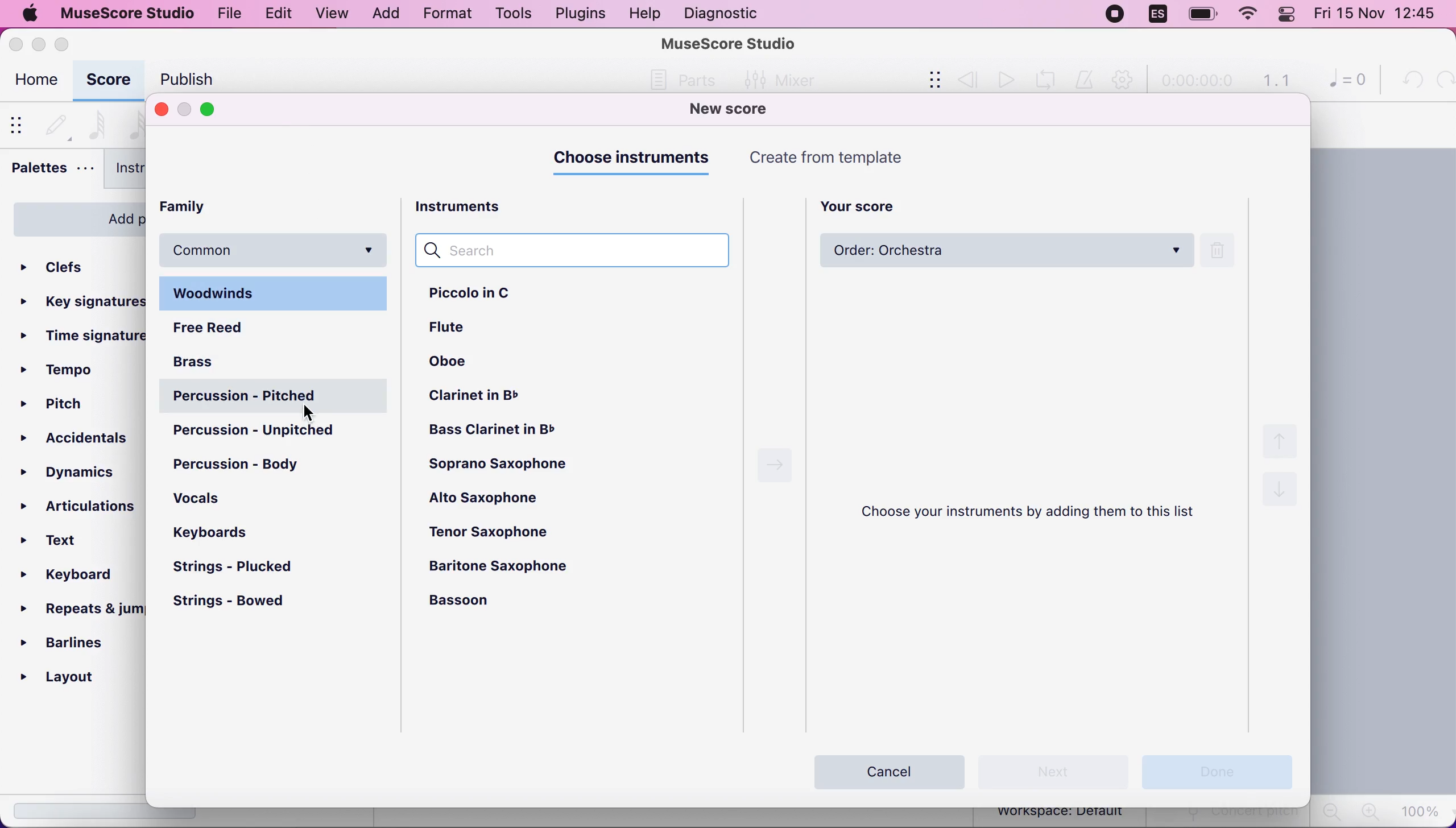  I want to click on close, so click(161, 109).